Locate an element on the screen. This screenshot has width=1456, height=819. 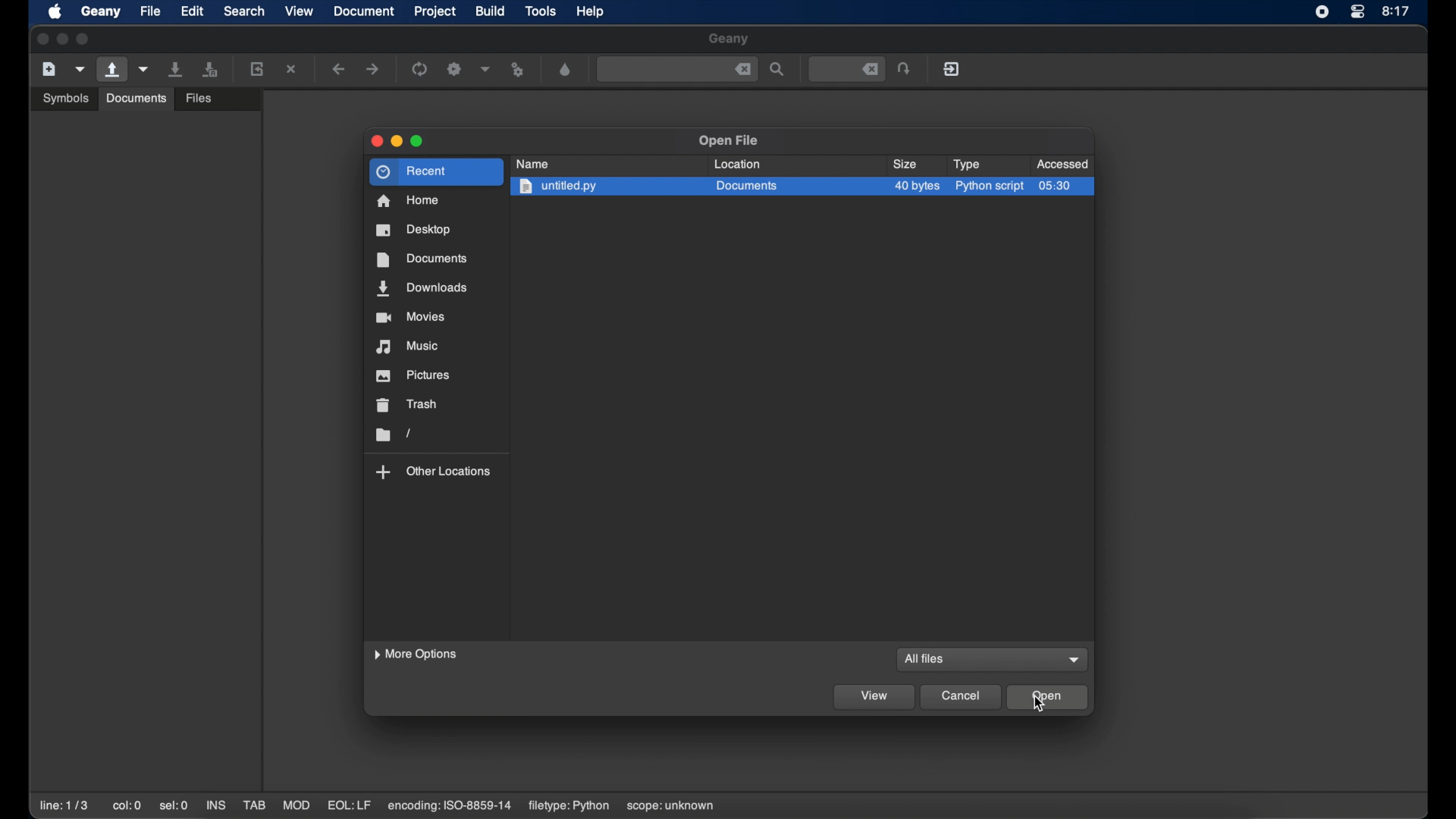
filetype: python is located at coordinates (569, 806).